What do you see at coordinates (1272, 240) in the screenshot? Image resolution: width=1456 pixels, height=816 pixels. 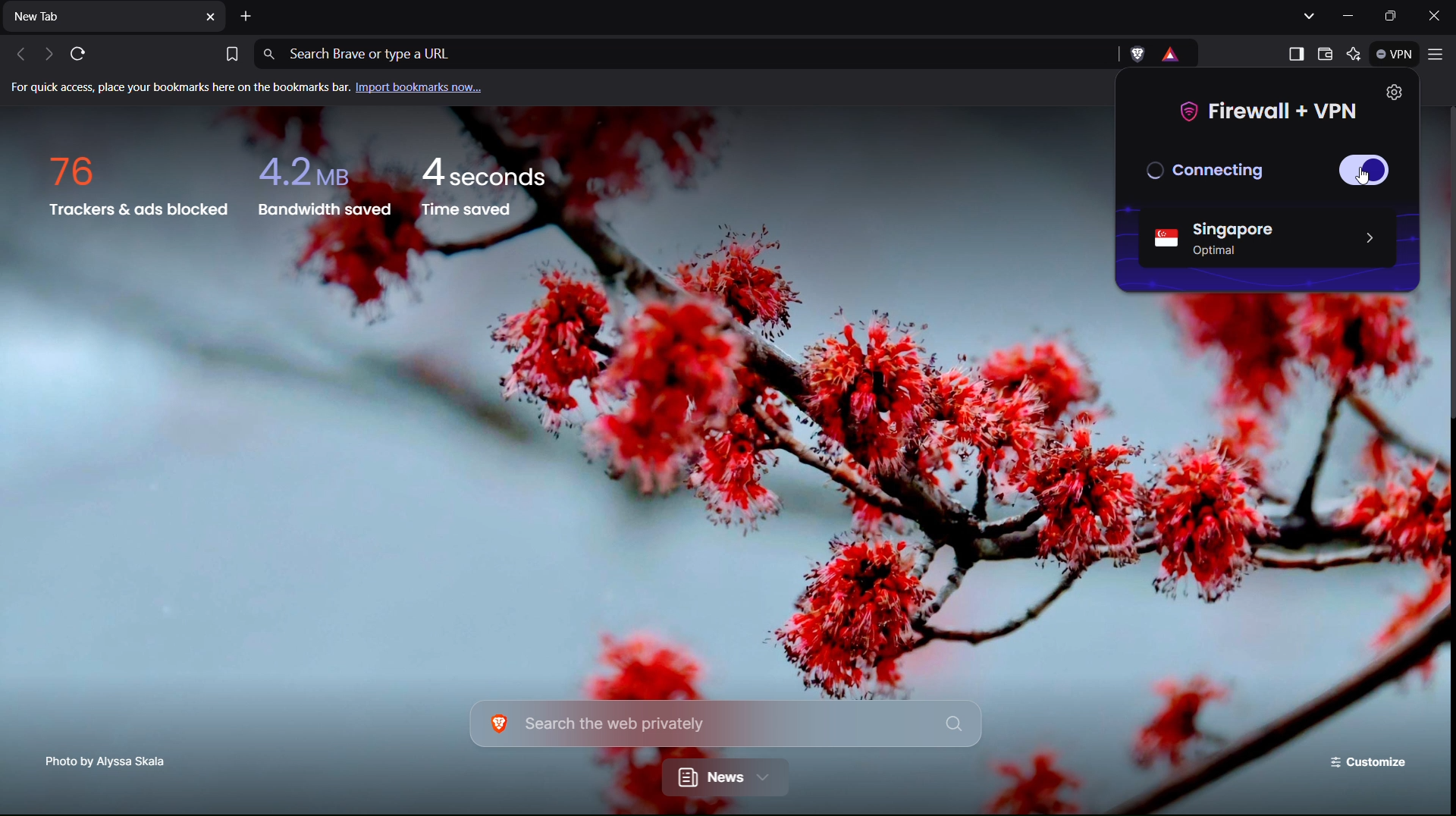 I see `Singapore Server` at bounding box center [1272, 240].